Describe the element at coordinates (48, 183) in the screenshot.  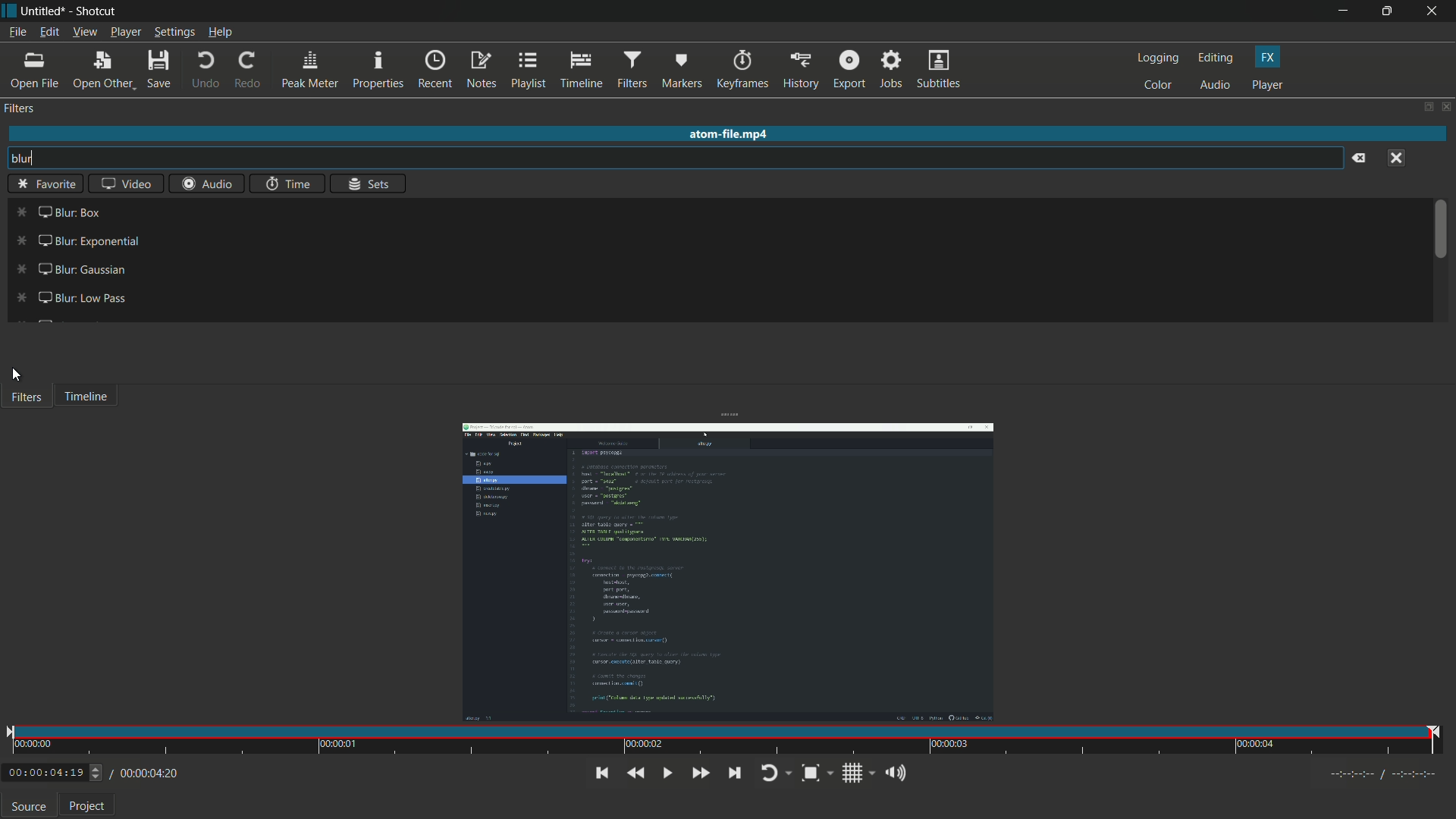
I see `` at that location.